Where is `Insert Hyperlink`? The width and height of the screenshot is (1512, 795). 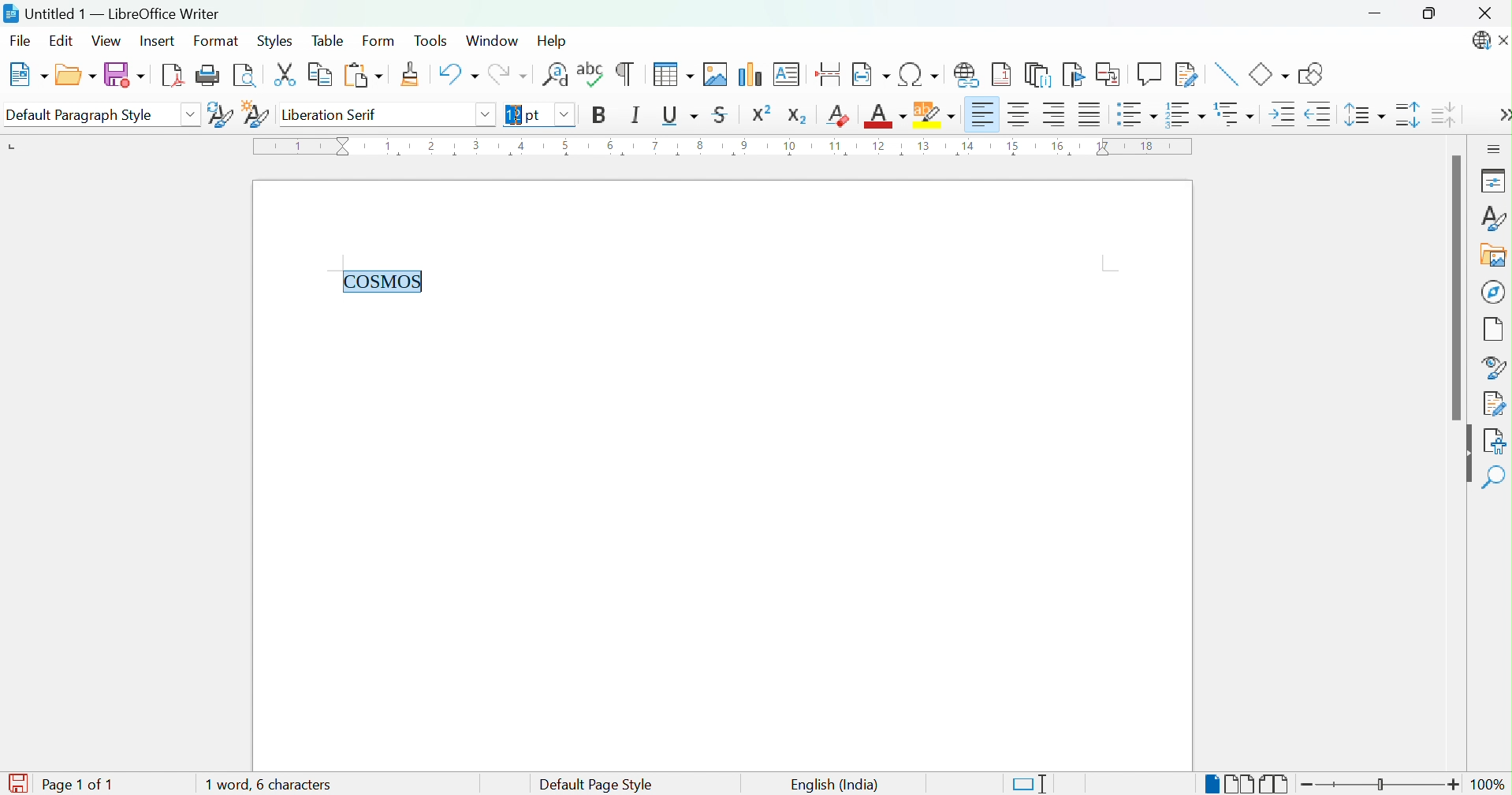 Insert Hyperlink is located at coordinates (968, 73).